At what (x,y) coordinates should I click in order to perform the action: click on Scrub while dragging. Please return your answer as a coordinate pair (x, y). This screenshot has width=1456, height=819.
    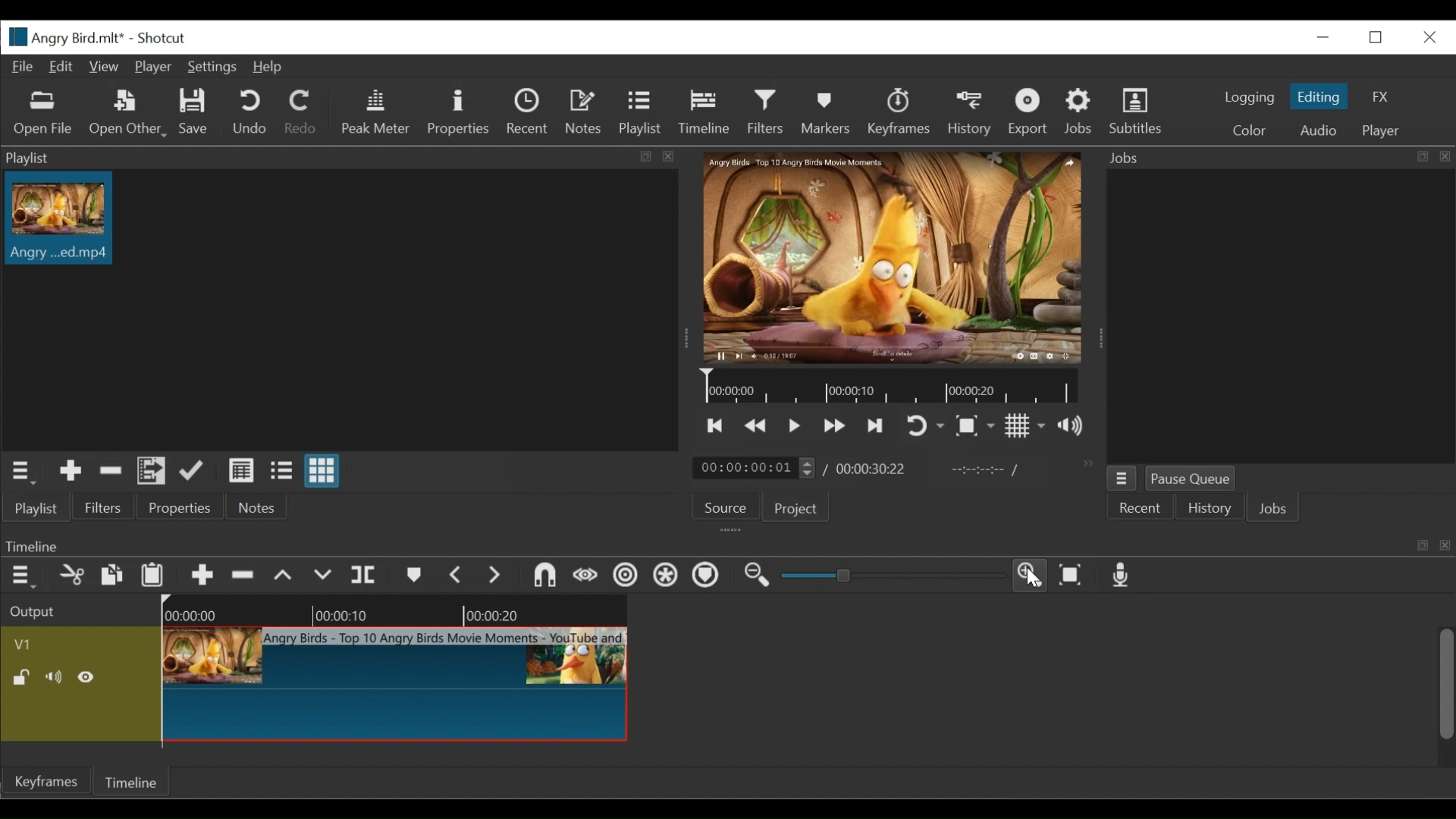
    Looking at the image, I should click on (586, 576).